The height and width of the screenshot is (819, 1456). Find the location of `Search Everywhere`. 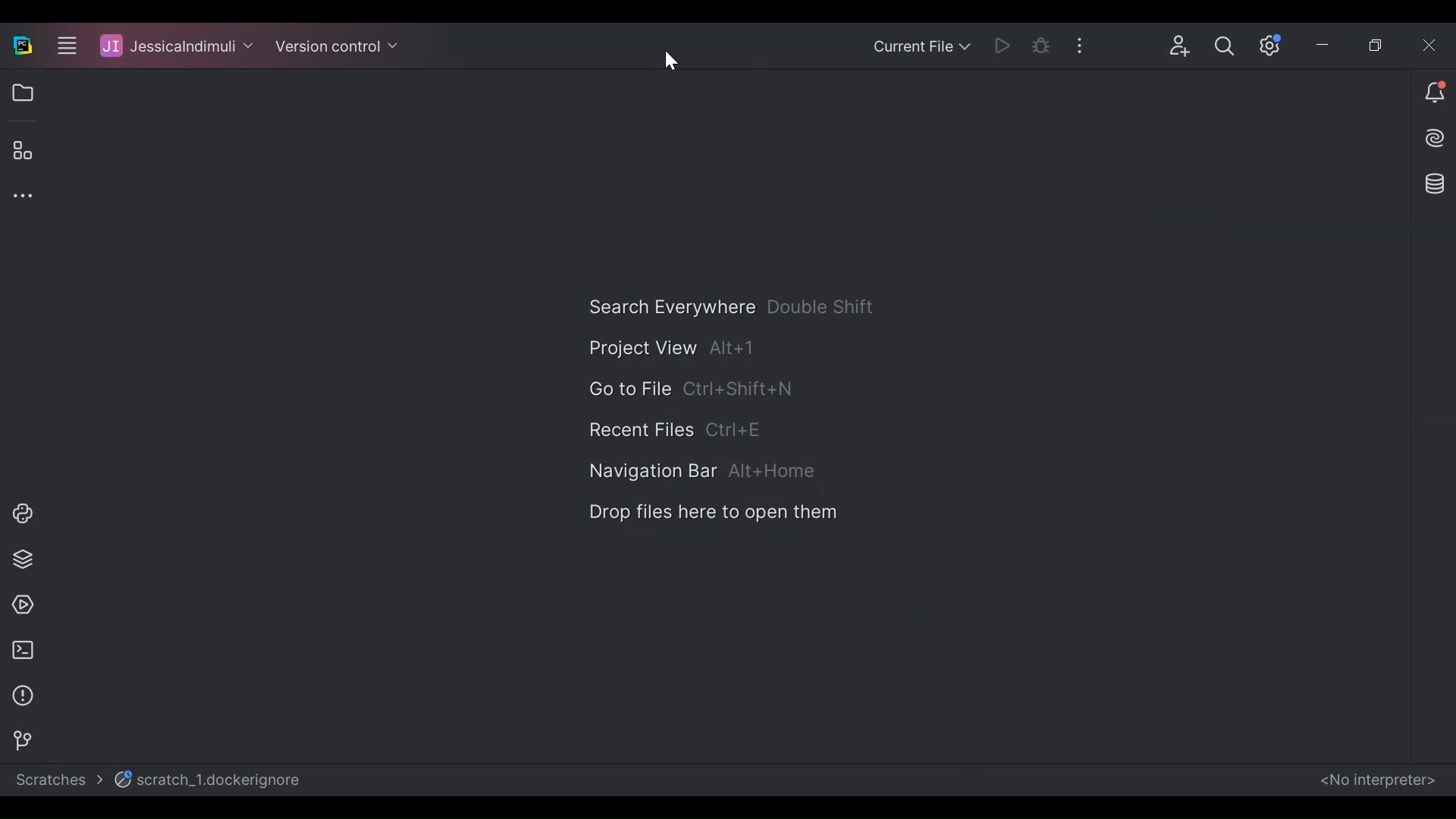

Search Everywhere is located at coordinates (733, 306).